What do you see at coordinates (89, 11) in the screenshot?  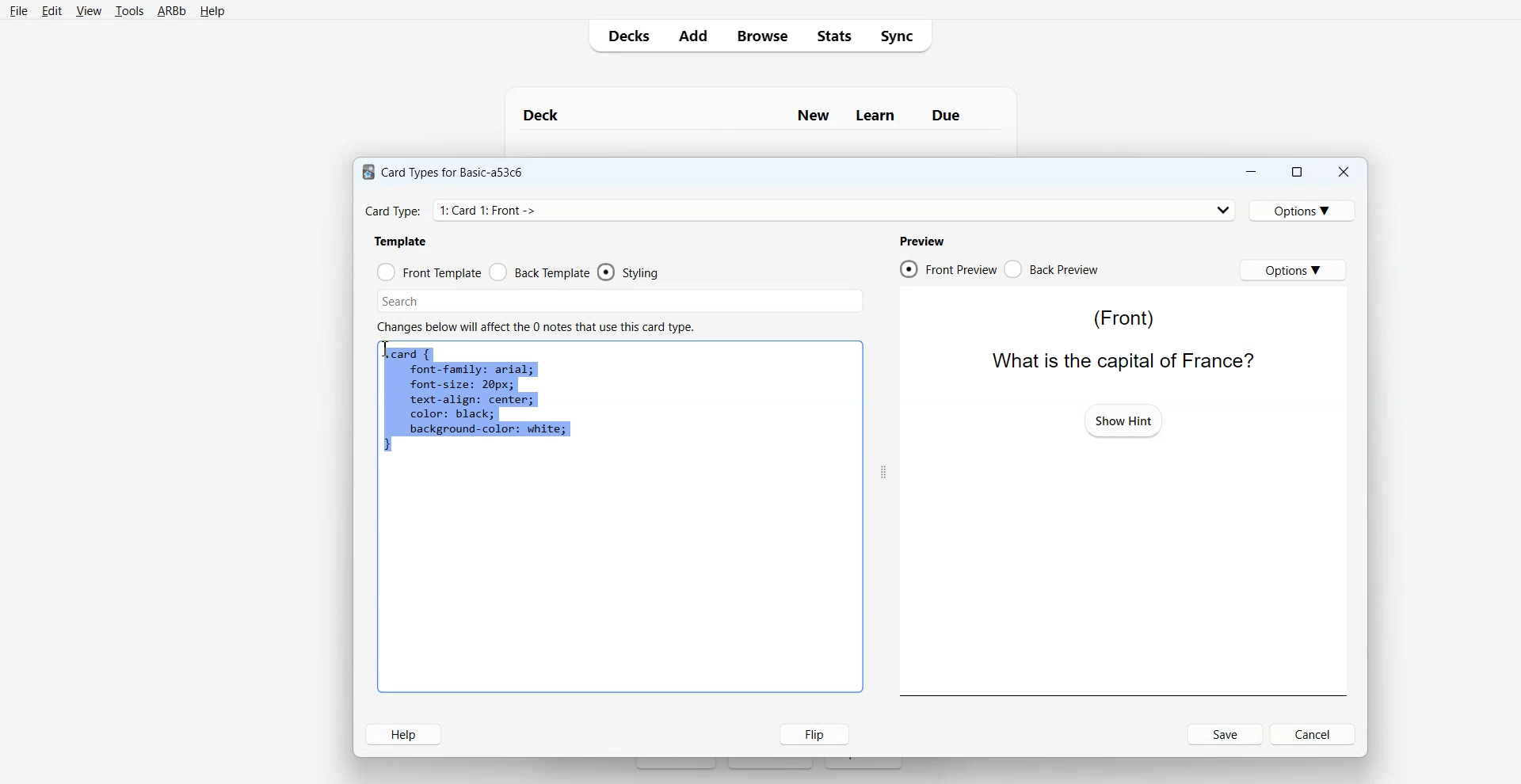 I see `View` at bounding box center [89, 11].